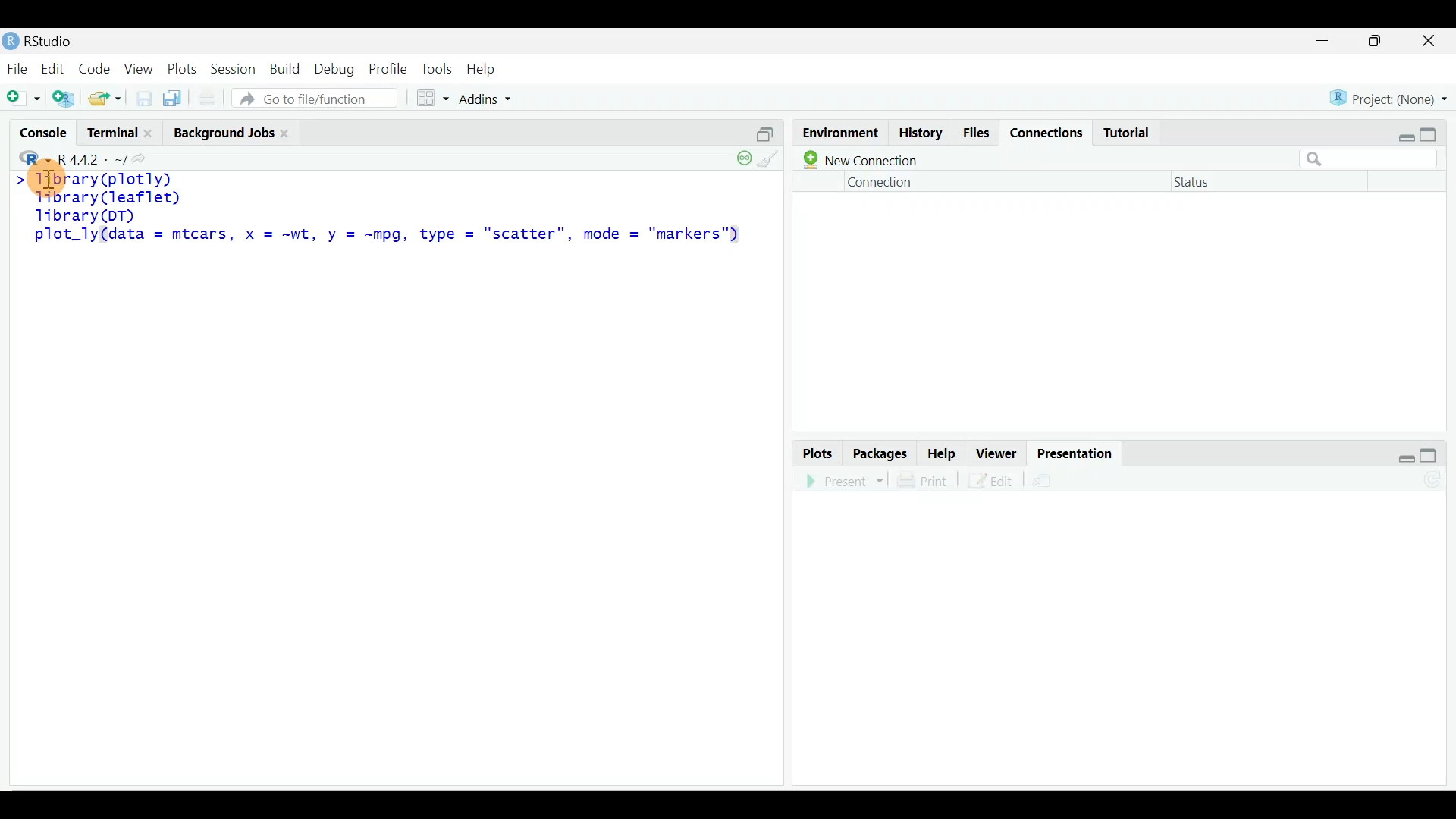 This screenshot has height=819, width=1456. Describe the element at coordinates (845, 480) in the screenshot. I see `Present in an external web browser` at that location.